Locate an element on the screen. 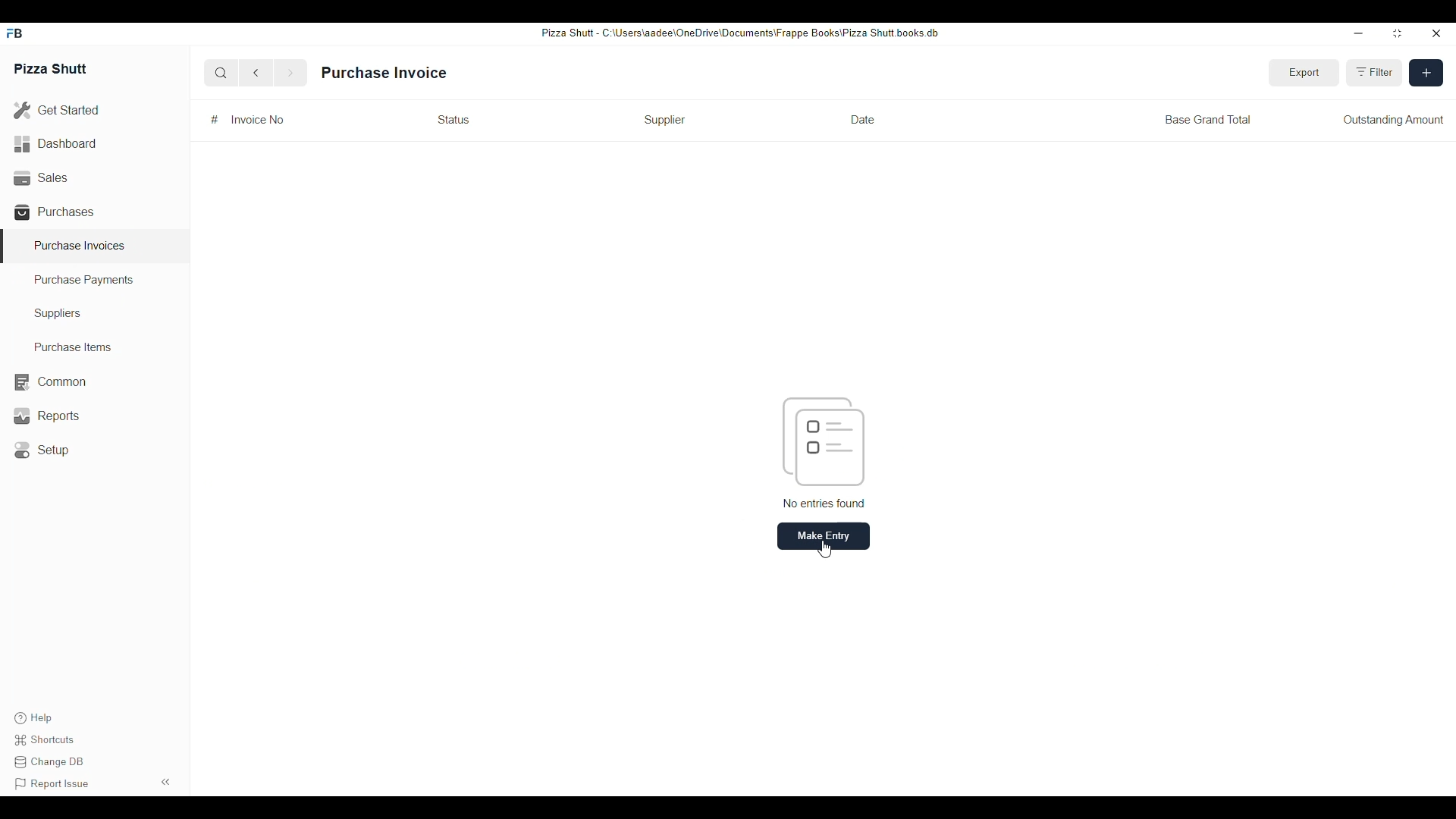 The height and width of the screenshot is (819, 1456). Purchases is located at coordinates (57, 212).